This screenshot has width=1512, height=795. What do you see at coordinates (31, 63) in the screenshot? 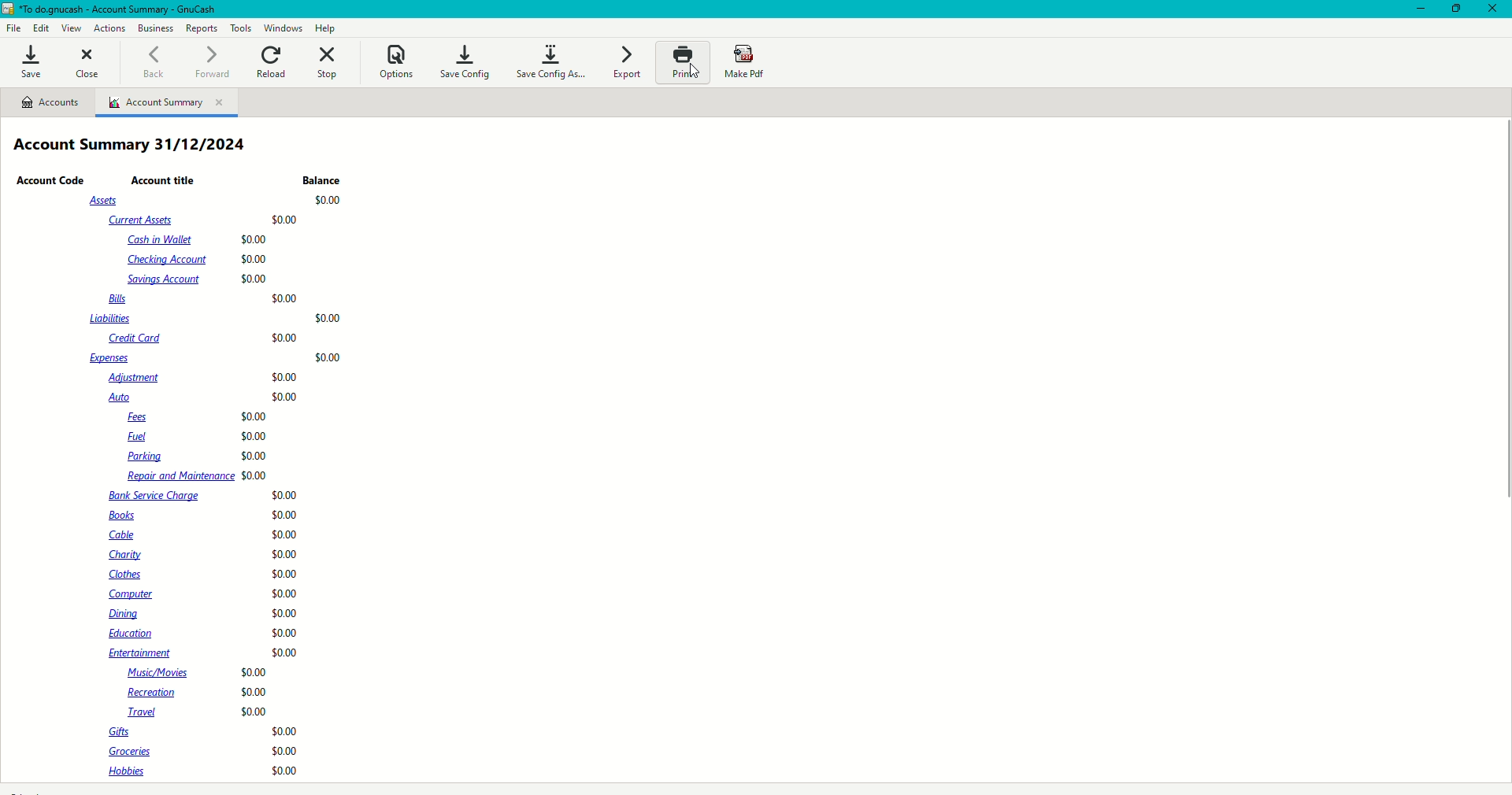
I see `Save` at bounding box center [31, 63].